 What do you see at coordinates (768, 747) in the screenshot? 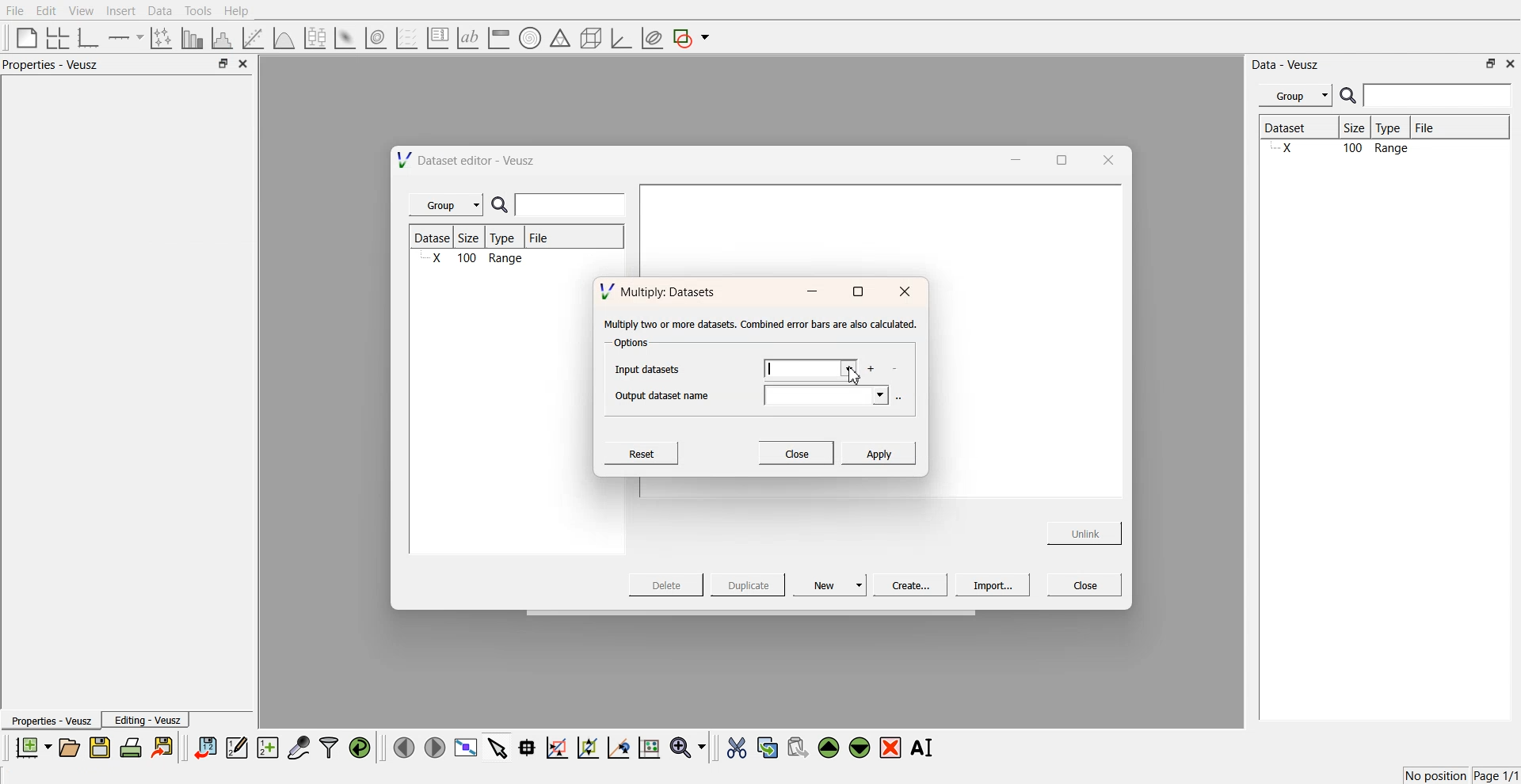
I see `copy the selected widgets` at bounding box center [768, 747].